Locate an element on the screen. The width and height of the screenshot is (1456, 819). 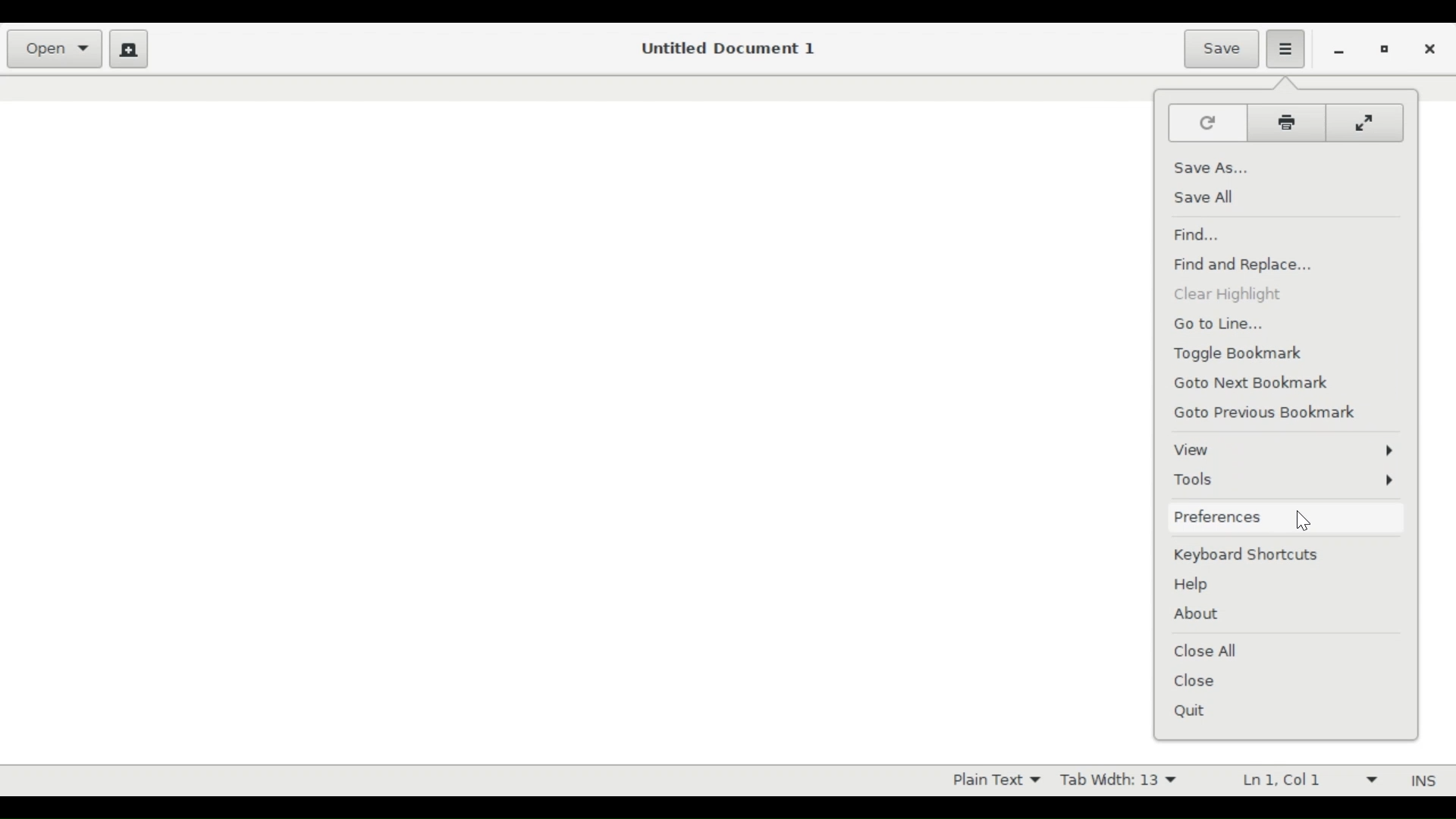
Close is located at coordinates (1198, 681).